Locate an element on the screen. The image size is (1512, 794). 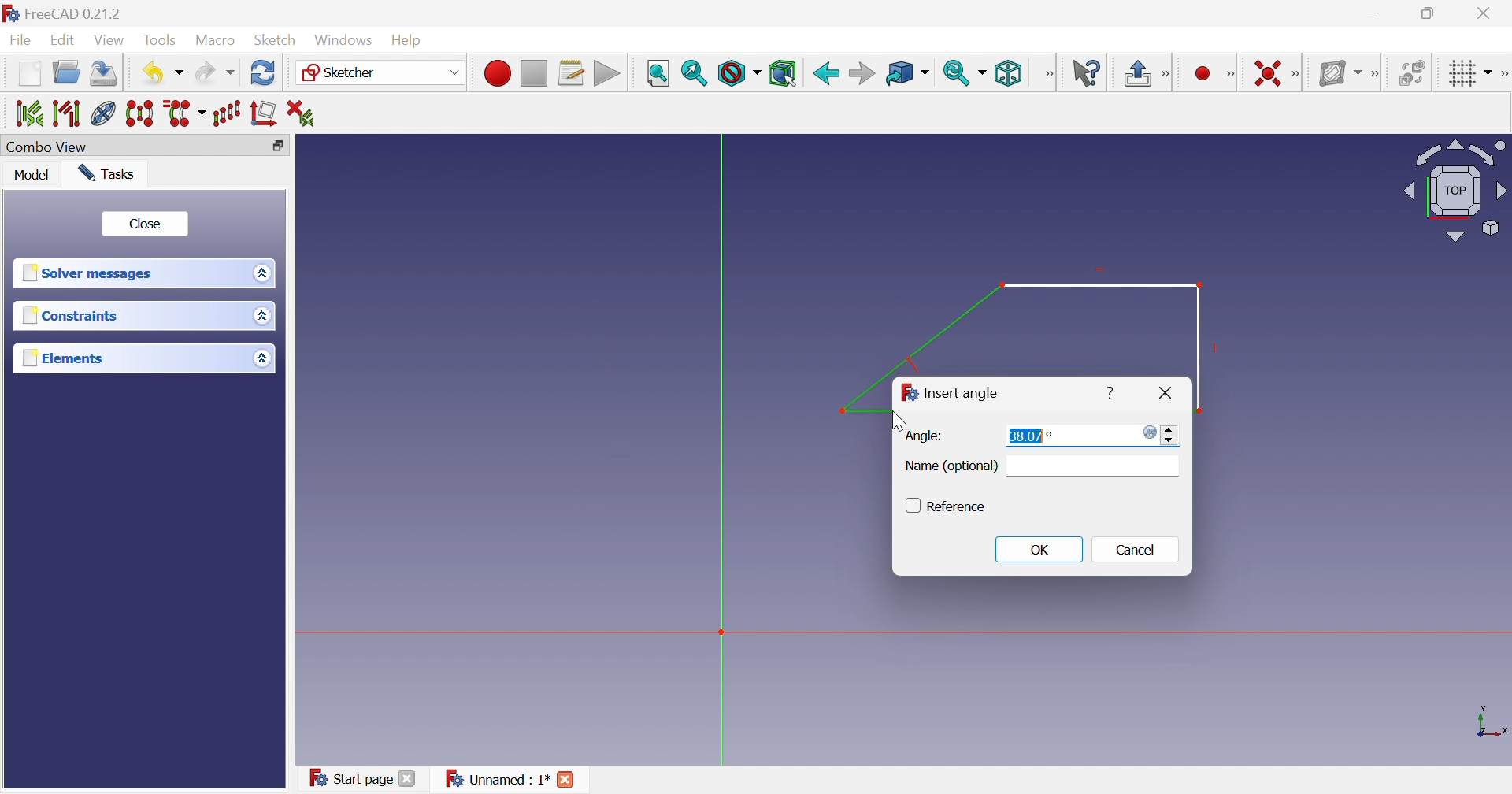
Macro is located at coordinates (216, 41).